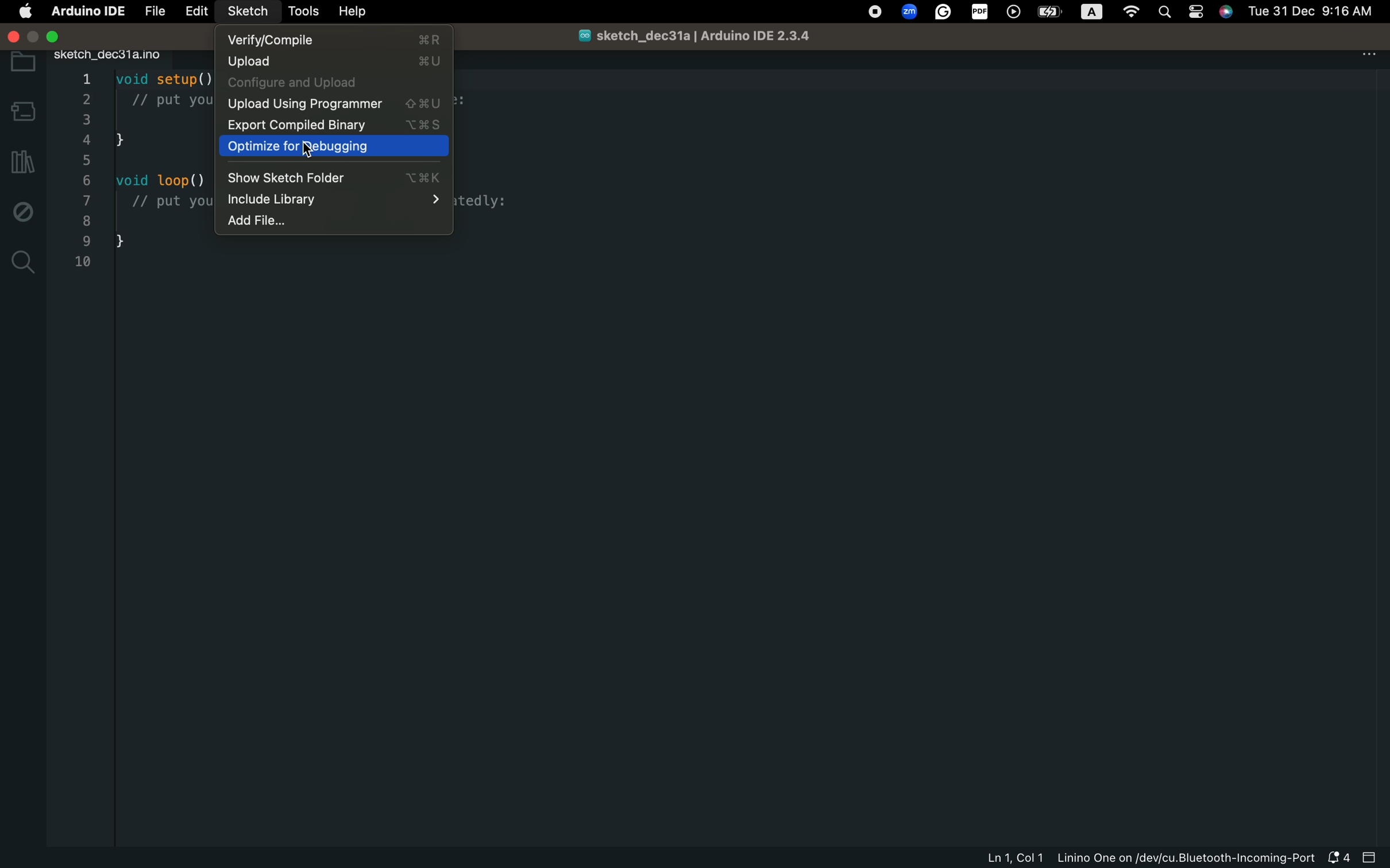  Describe the element at coordinates (20, 208) in the screenshot. I see `debug` at that location.